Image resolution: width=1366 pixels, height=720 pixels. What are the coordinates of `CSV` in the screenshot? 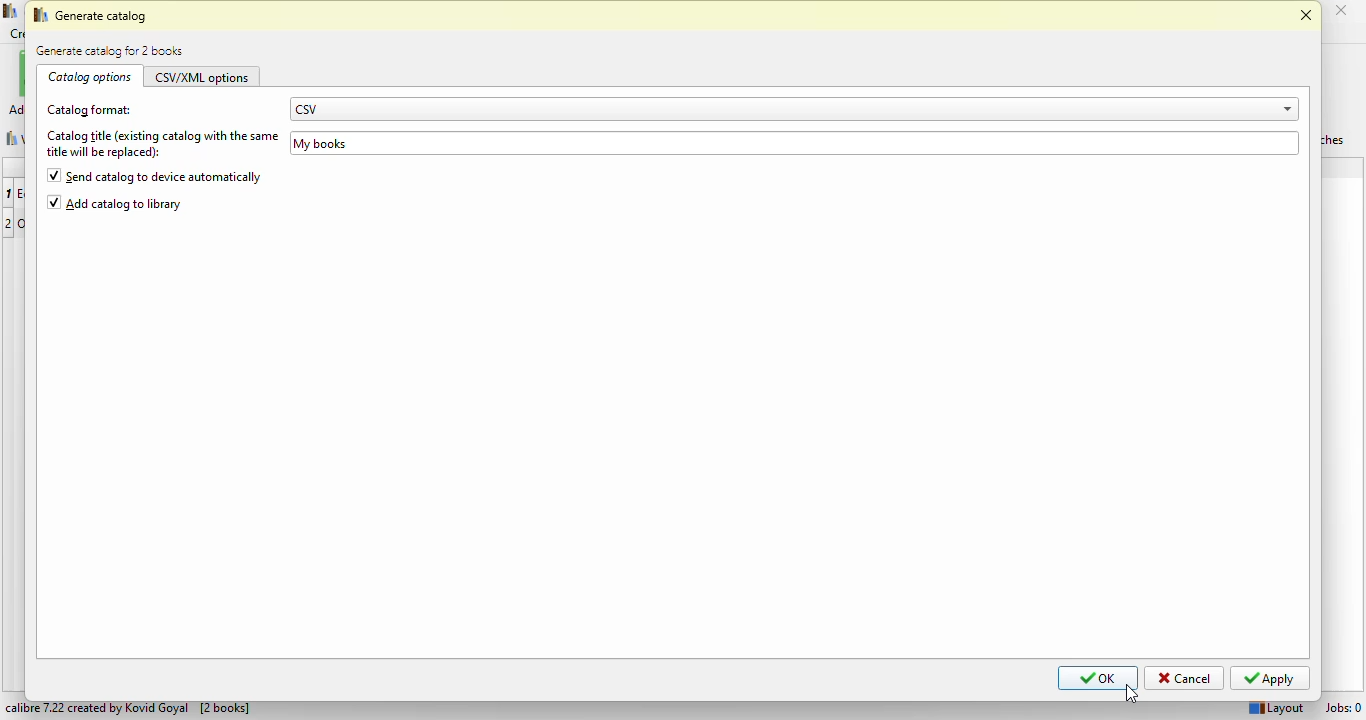 It's located at (792, 109).